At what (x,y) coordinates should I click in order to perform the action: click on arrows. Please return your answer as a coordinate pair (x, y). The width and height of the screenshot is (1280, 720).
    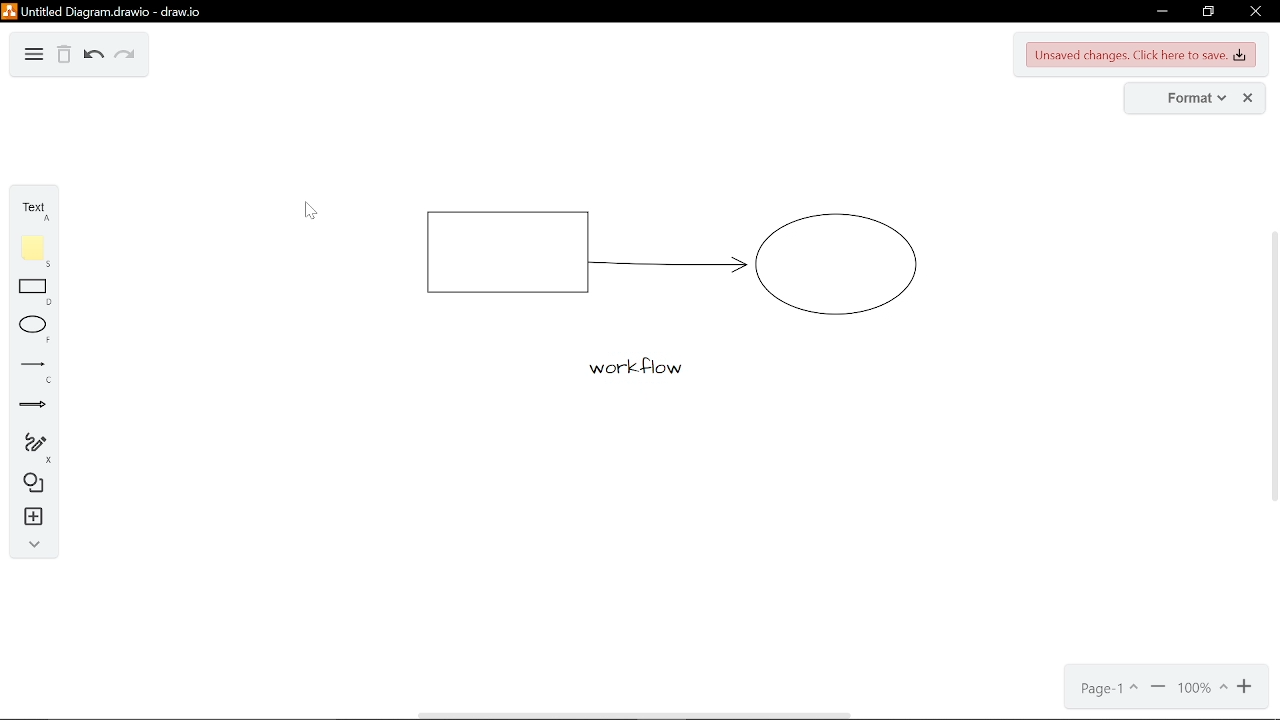
    Looking at the image, I should click on (34, 406).